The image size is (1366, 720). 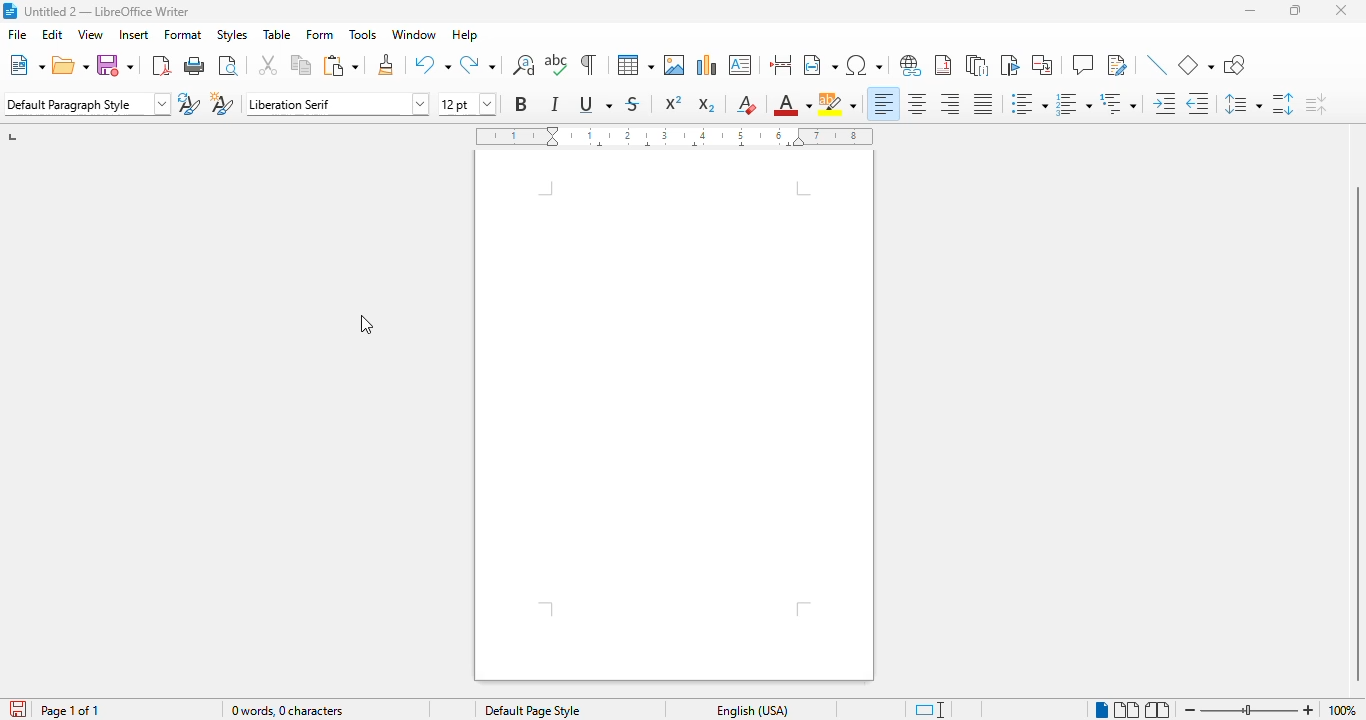 What do you see at coordinates (524, 65) in the screenshot?
I see `find and replace` at bounding box center [524, 65].